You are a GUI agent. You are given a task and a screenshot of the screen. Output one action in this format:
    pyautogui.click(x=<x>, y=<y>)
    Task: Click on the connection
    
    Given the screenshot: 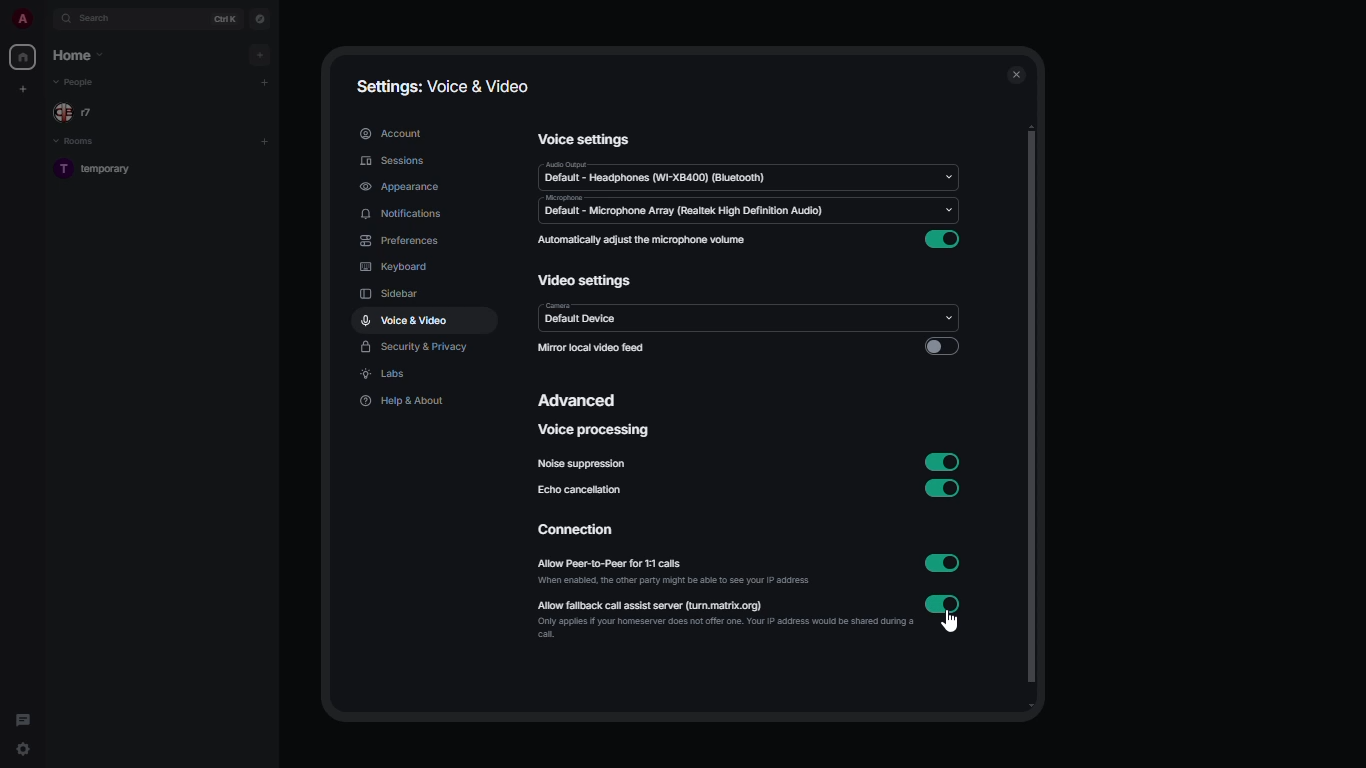 What is the action you would take?
    pyautogui.click(x=573, y=531)
    